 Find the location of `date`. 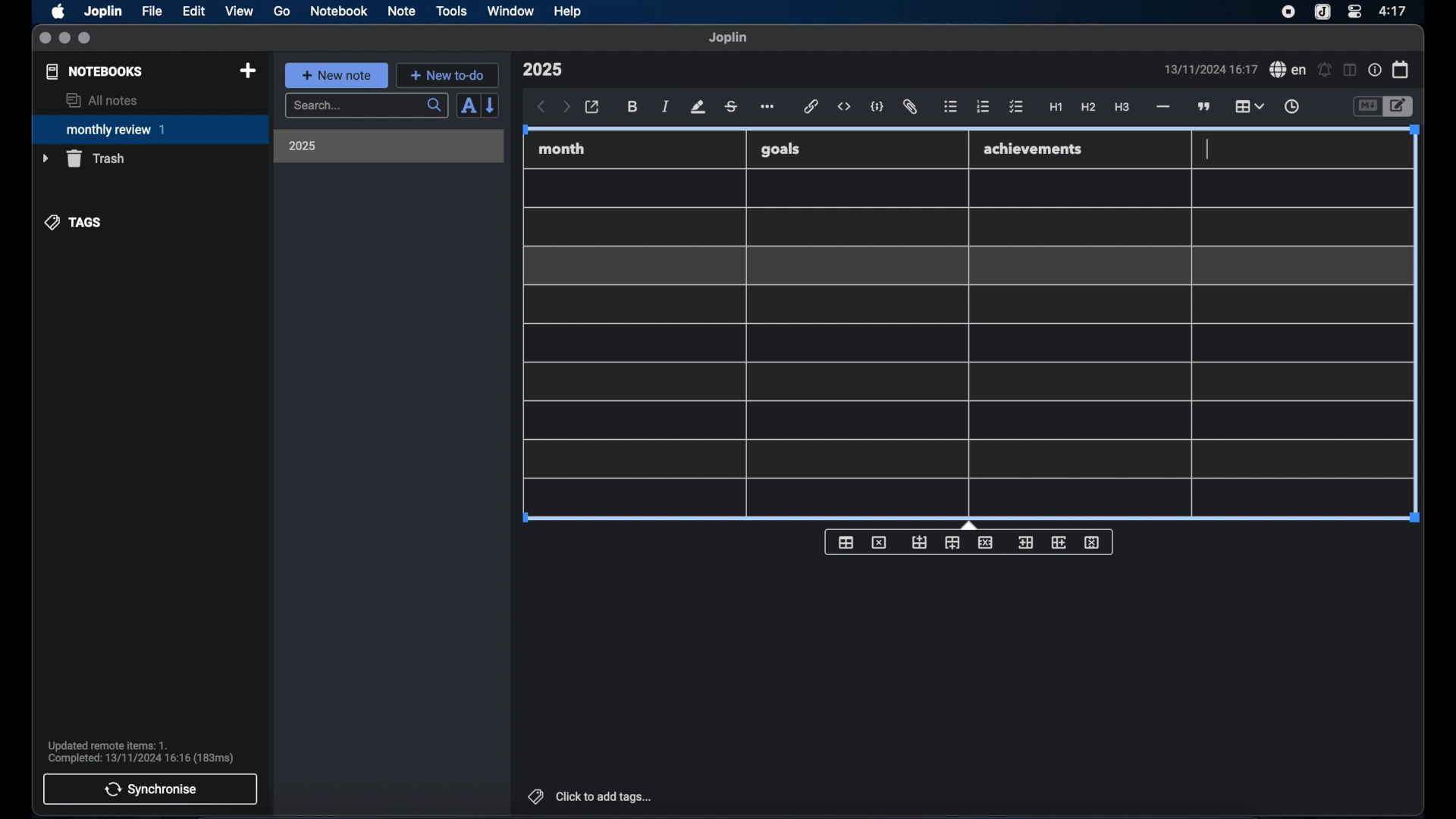

date is located at coordinates (1210, 69).